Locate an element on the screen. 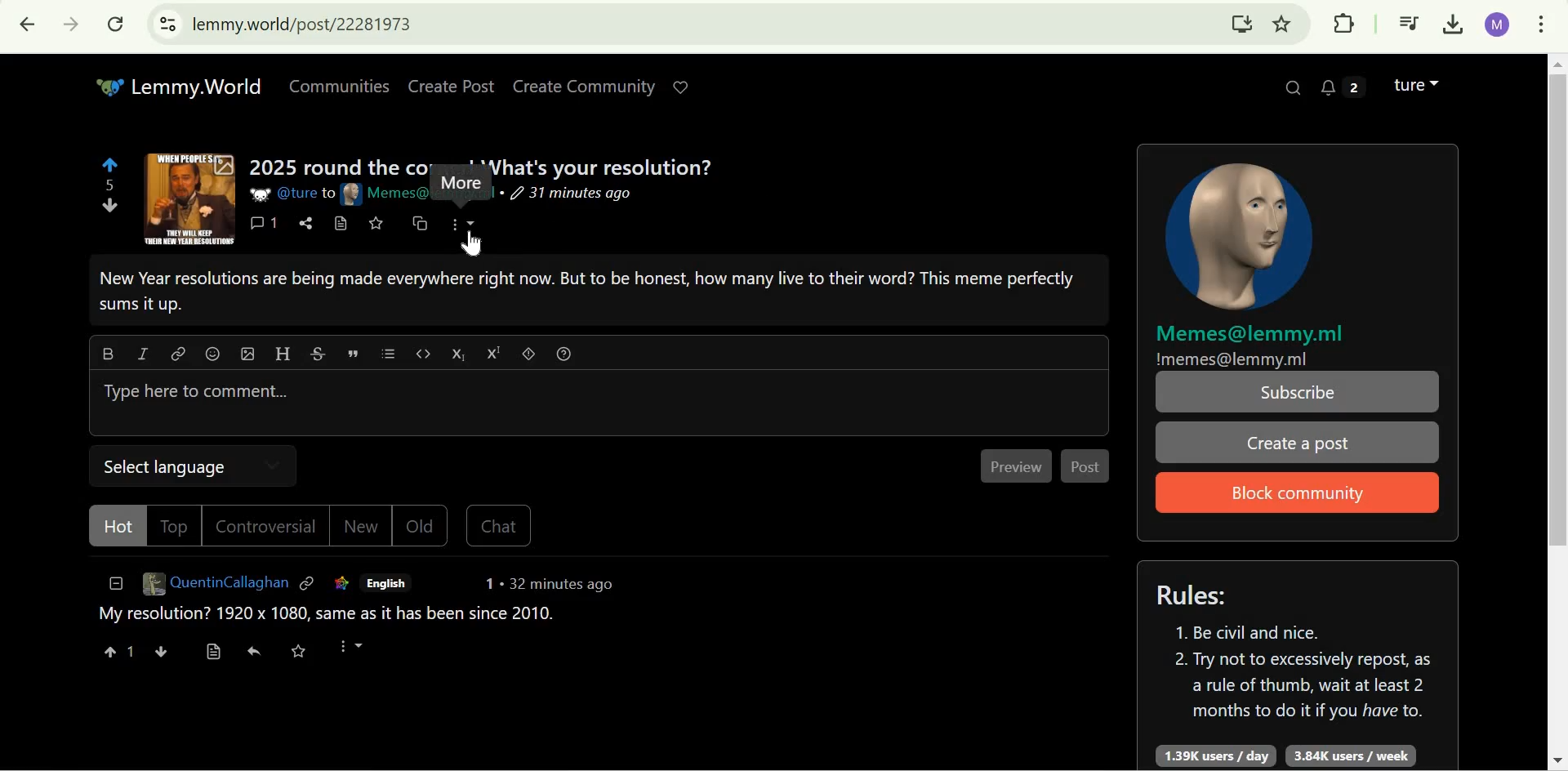  subscript is located at coordinates (460, 352).